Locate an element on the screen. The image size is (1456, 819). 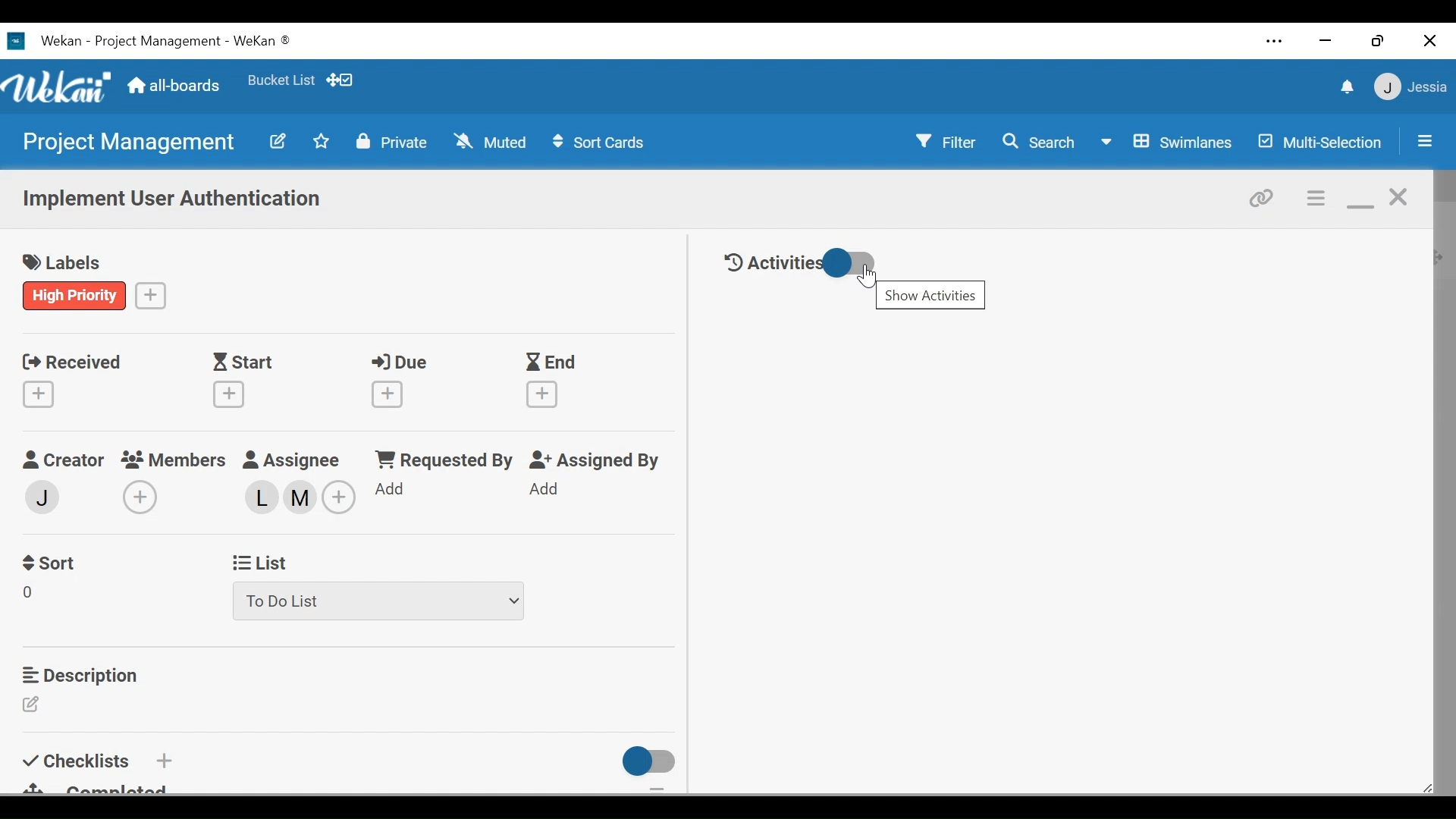
List is located at coordinates (265, 562).